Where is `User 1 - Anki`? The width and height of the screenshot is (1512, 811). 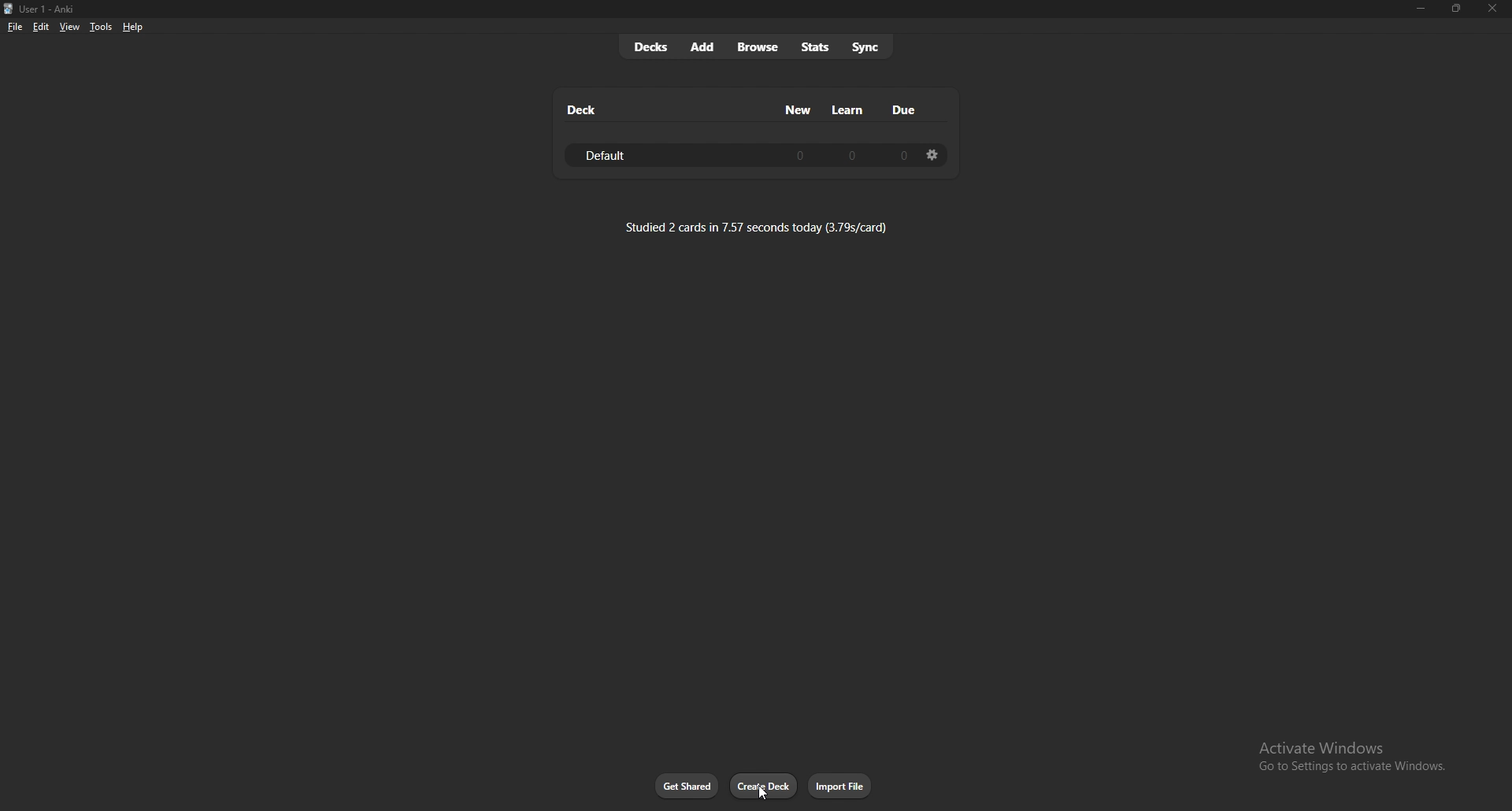
User 1 - Anki is located at coordinates (52, 9).